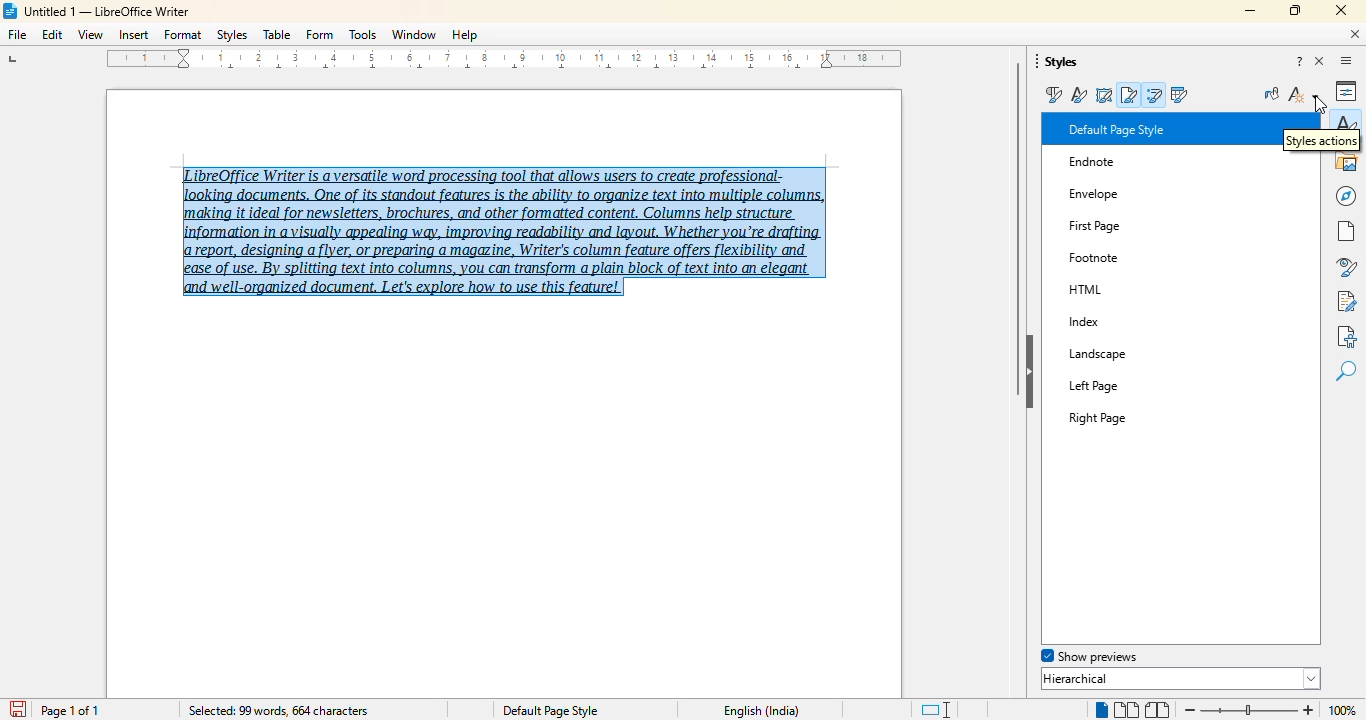 This screenshot has width=1366, height=720. Describe the element at coordinates (1092, 256) in the screenshot. I see `` at that location.